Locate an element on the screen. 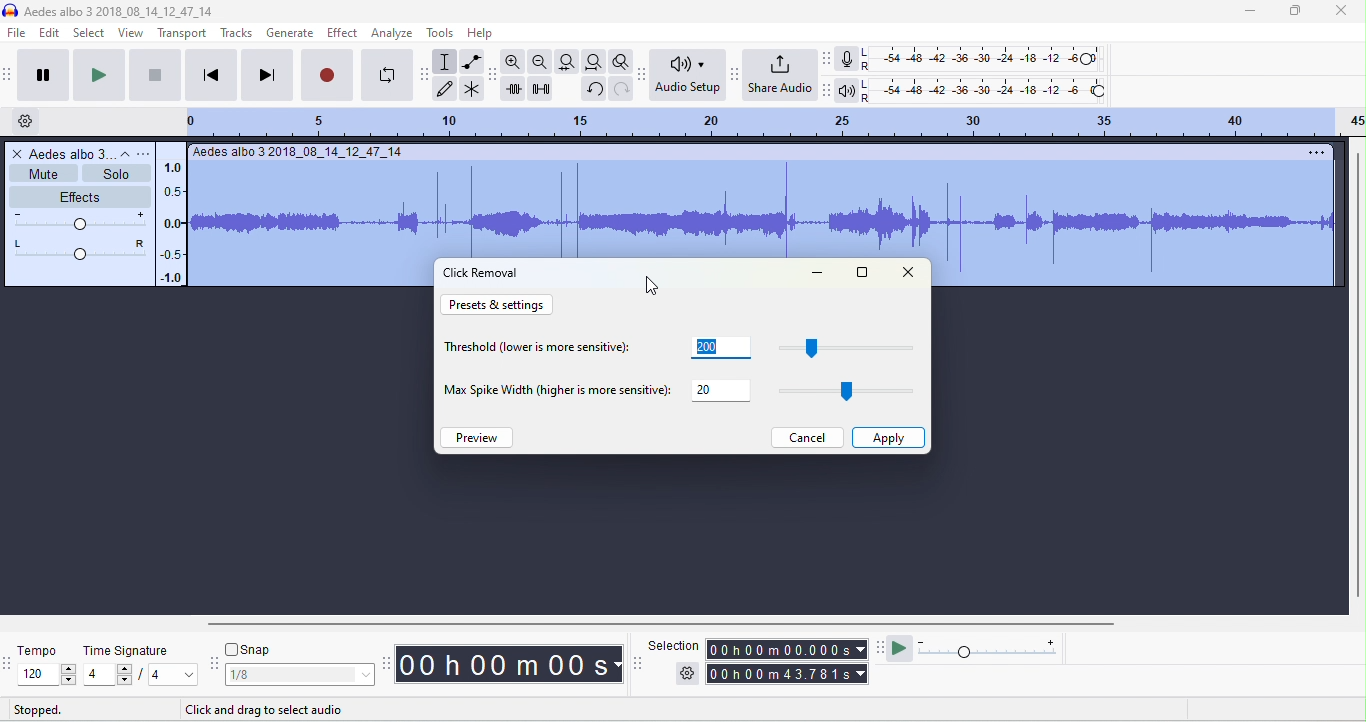  apply is located at coordinates (891, 436).